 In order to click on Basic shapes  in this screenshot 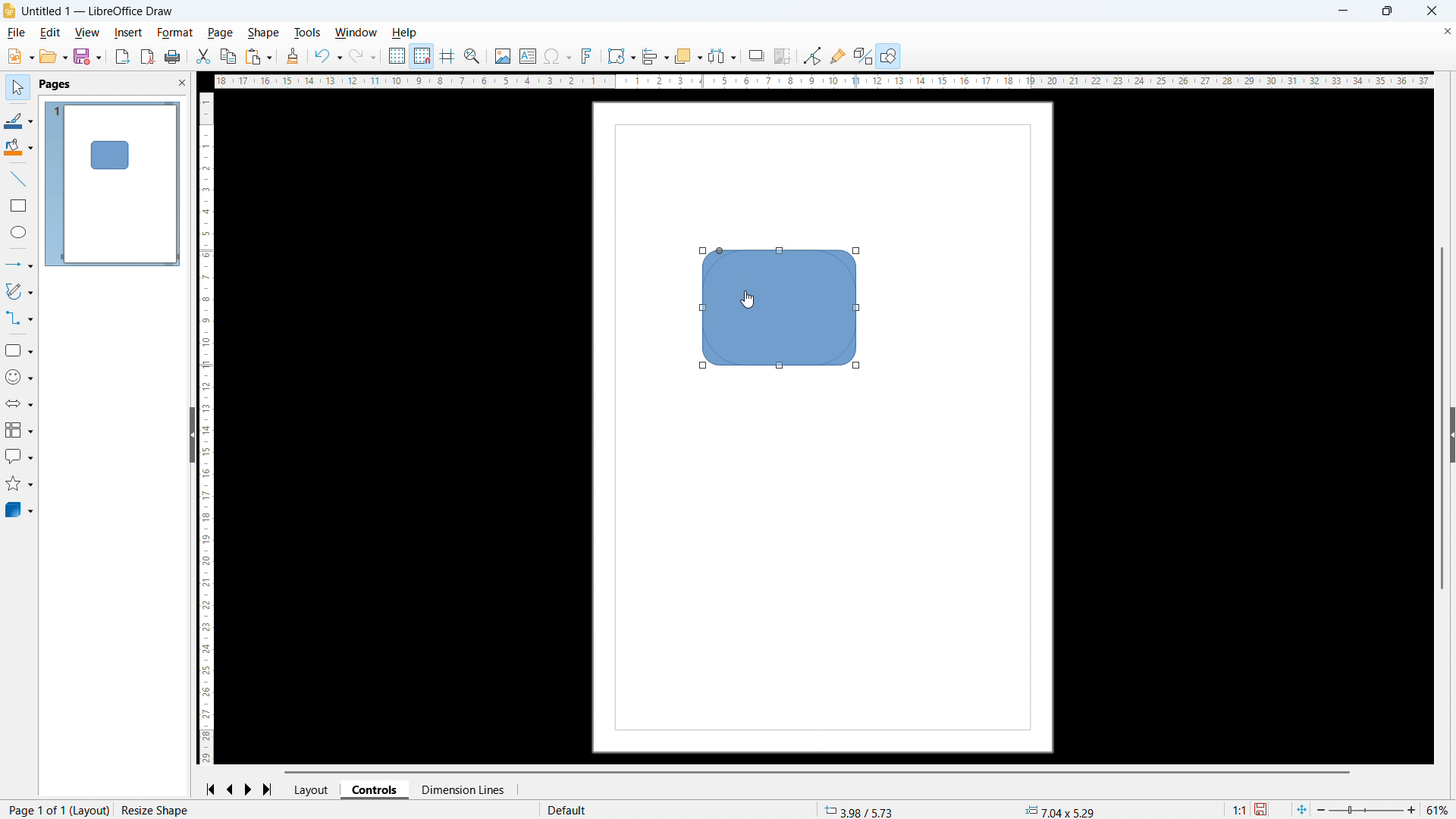, I will do `click(18, 350)`.